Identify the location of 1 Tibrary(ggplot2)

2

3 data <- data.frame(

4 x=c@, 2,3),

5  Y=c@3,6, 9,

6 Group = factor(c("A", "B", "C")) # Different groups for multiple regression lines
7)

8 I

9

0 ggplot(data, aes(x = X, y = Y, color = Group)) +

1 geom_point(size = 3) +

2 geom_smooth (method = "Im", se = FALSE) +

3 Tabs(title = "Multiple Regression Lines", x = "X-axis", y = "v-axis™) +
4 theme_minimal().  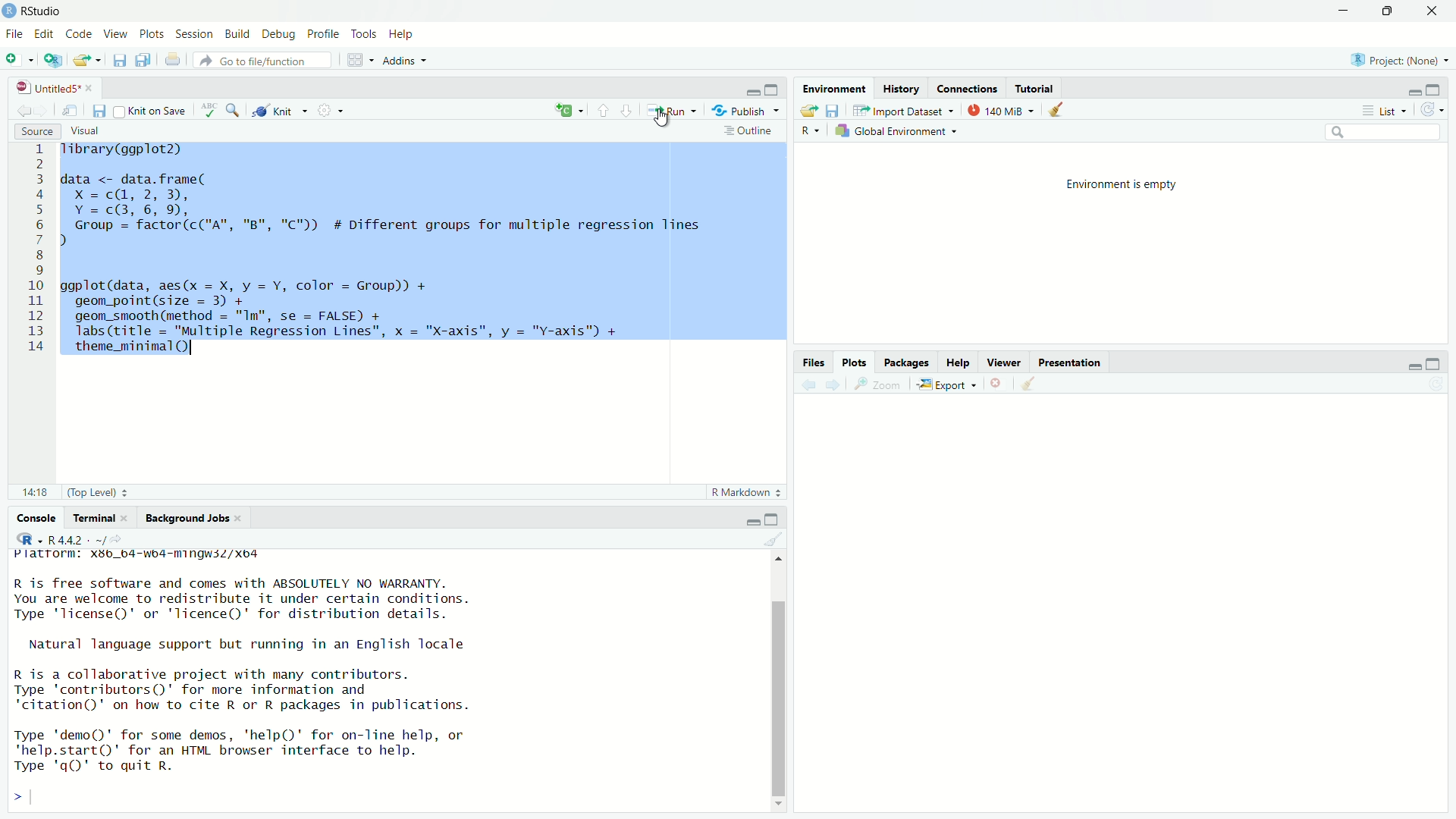
(406, 249).